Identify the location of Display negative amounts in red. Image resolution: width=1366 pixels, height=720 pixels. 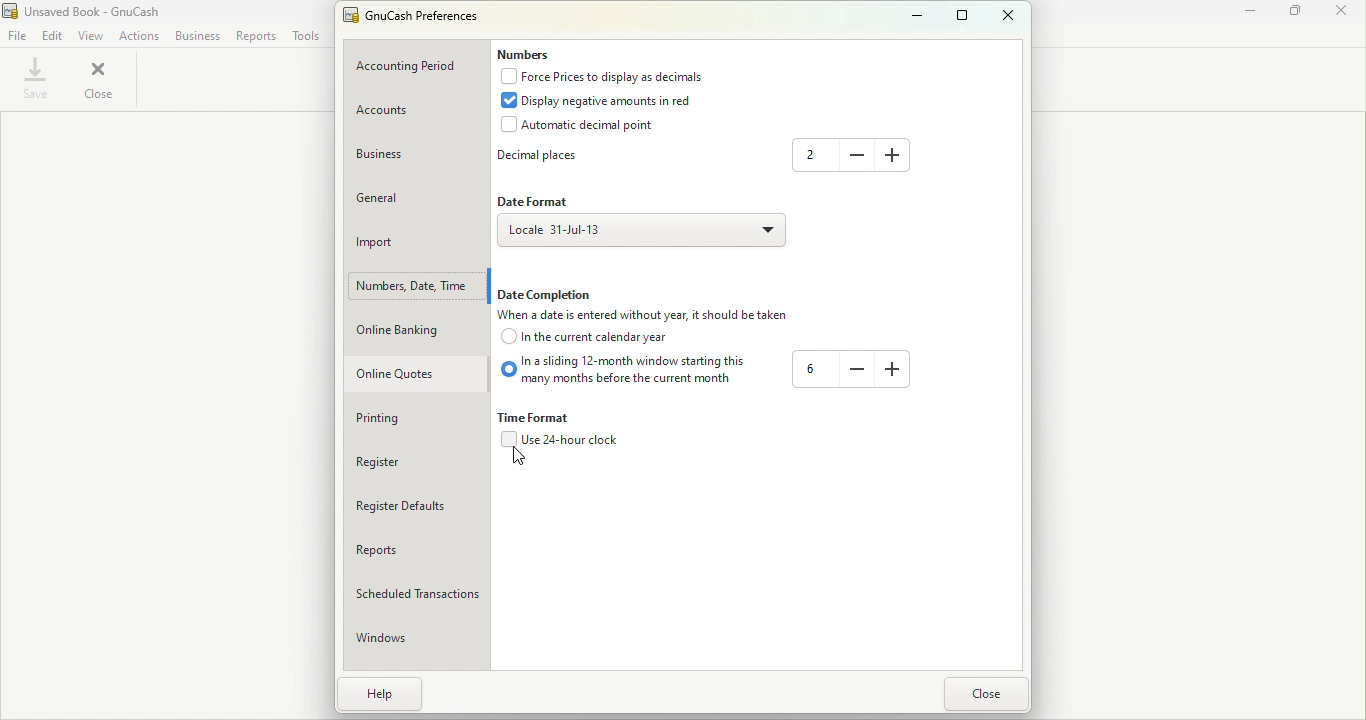
(595, 98).